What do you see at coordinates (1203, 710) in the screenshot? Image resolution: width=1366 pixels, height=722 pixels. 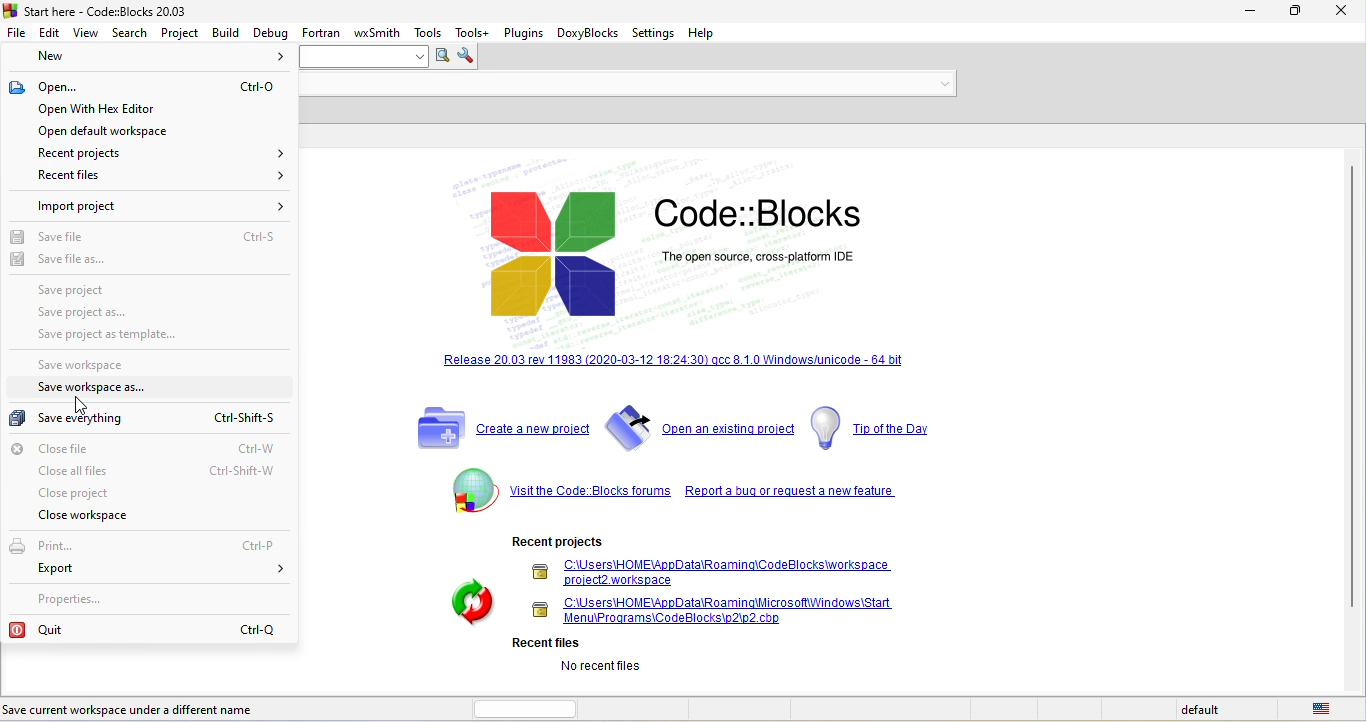 I see `default` at bounding box center [1203, 710].